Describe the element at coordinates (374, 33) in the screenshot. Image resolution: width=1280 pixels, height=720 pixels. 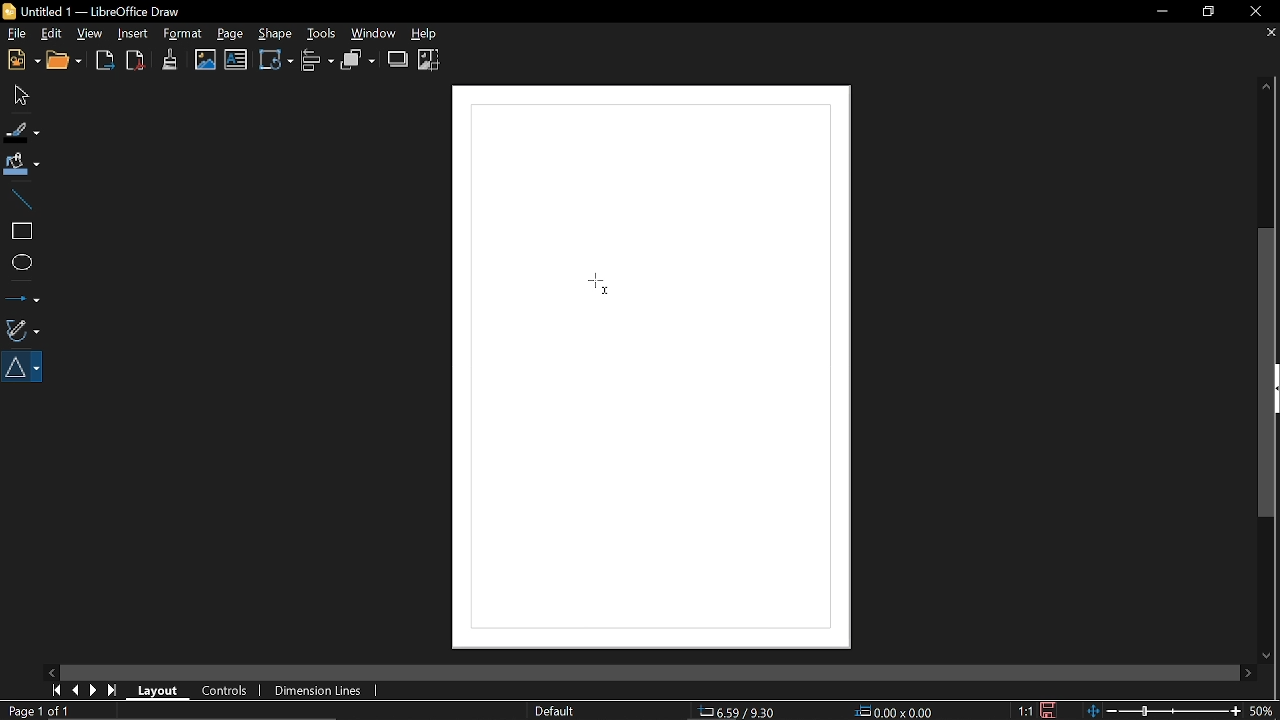
I see `Window` at that location.